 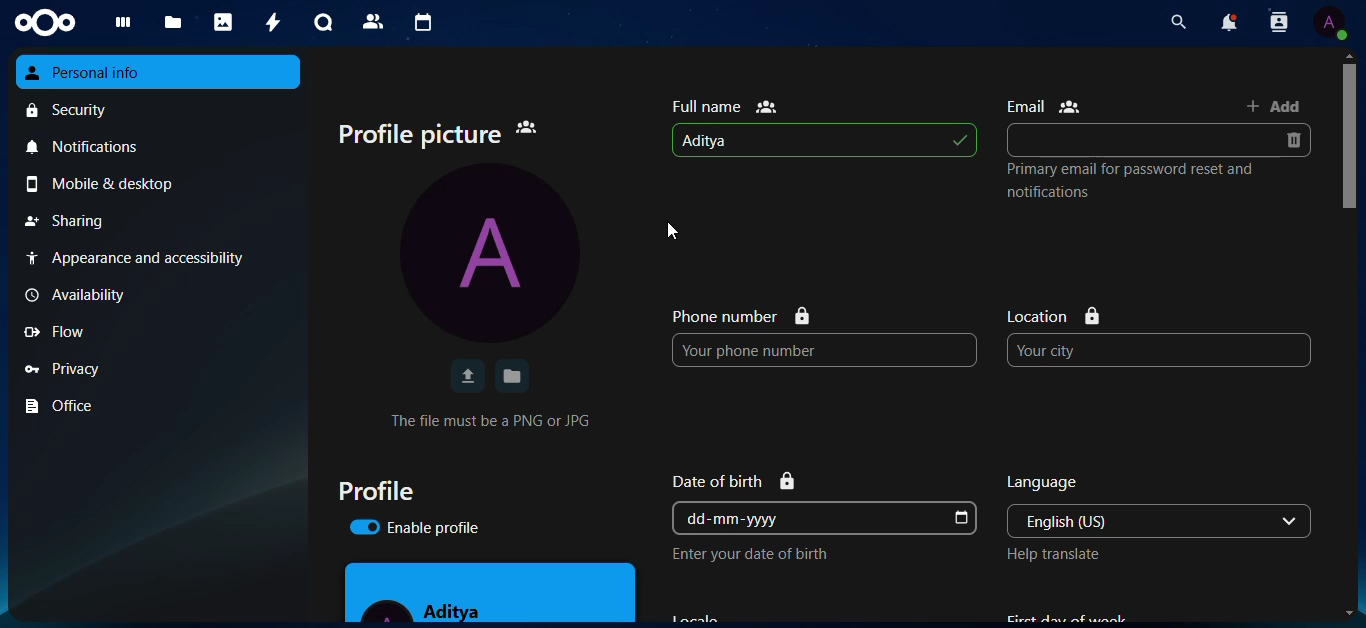 I want to click on privacy, so click(x=160, y=367).